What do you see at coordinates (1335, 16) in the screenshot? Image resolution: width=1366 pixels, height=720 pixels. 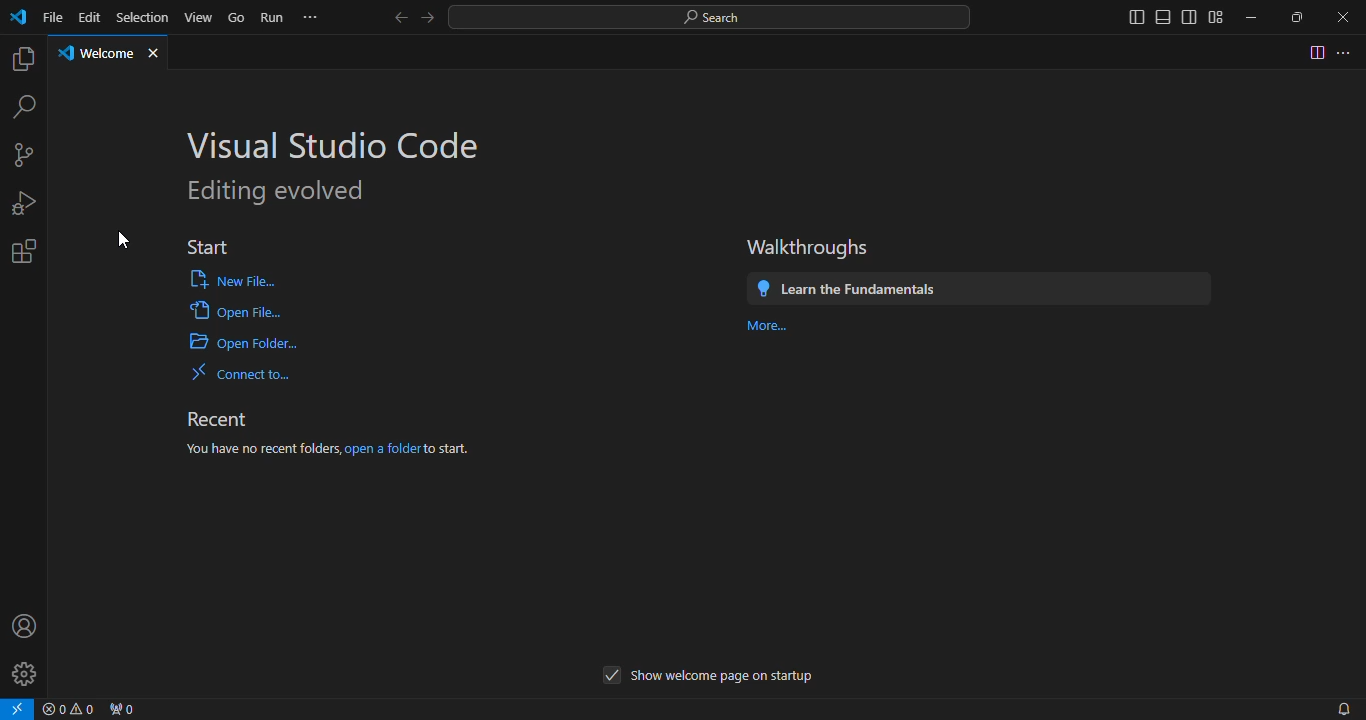 I see `close` at bounding box center [1335, 16].